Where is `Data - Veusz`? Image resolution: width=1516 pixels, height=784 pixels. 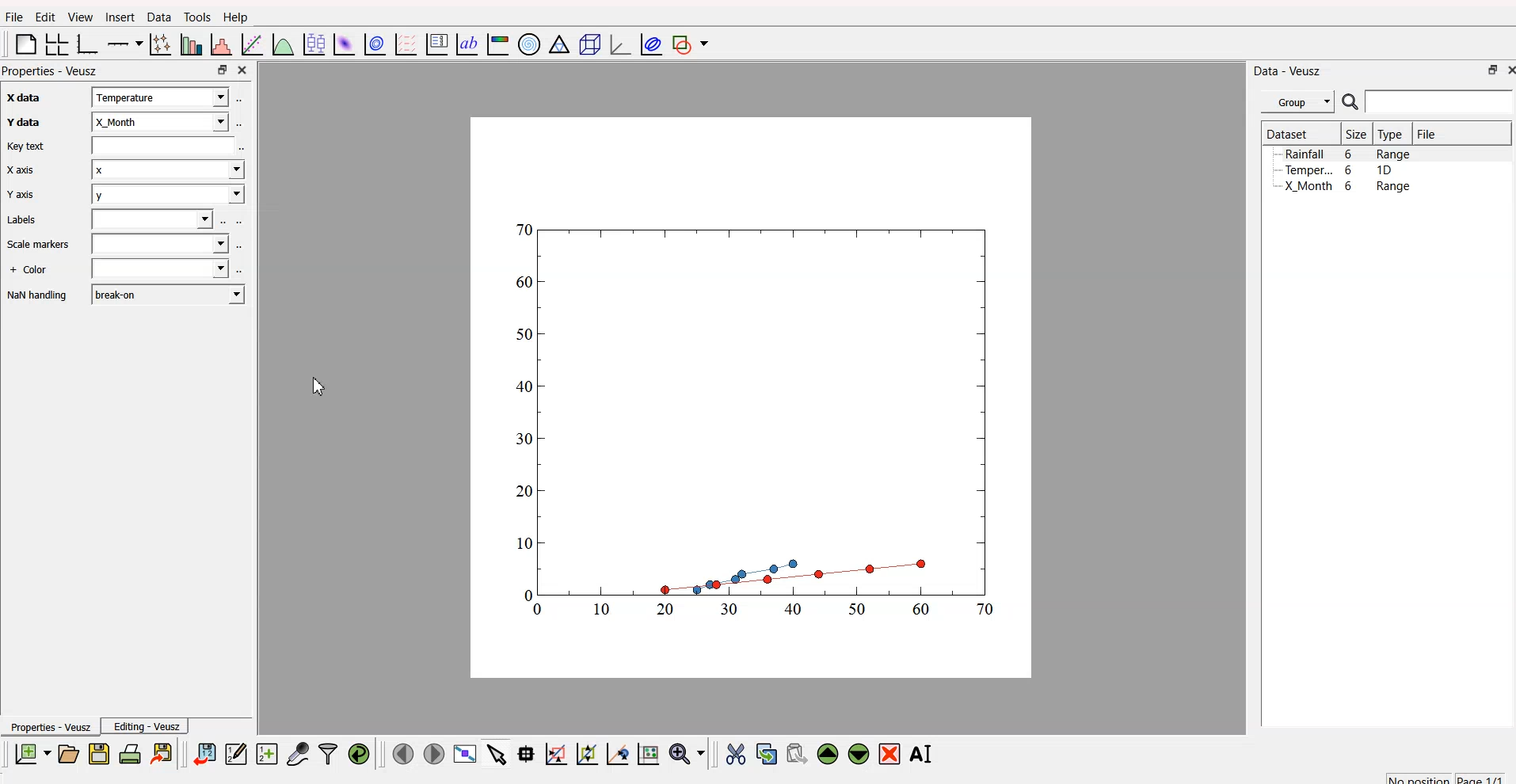
Data - Veusz is located at coordinates (1289, 70).